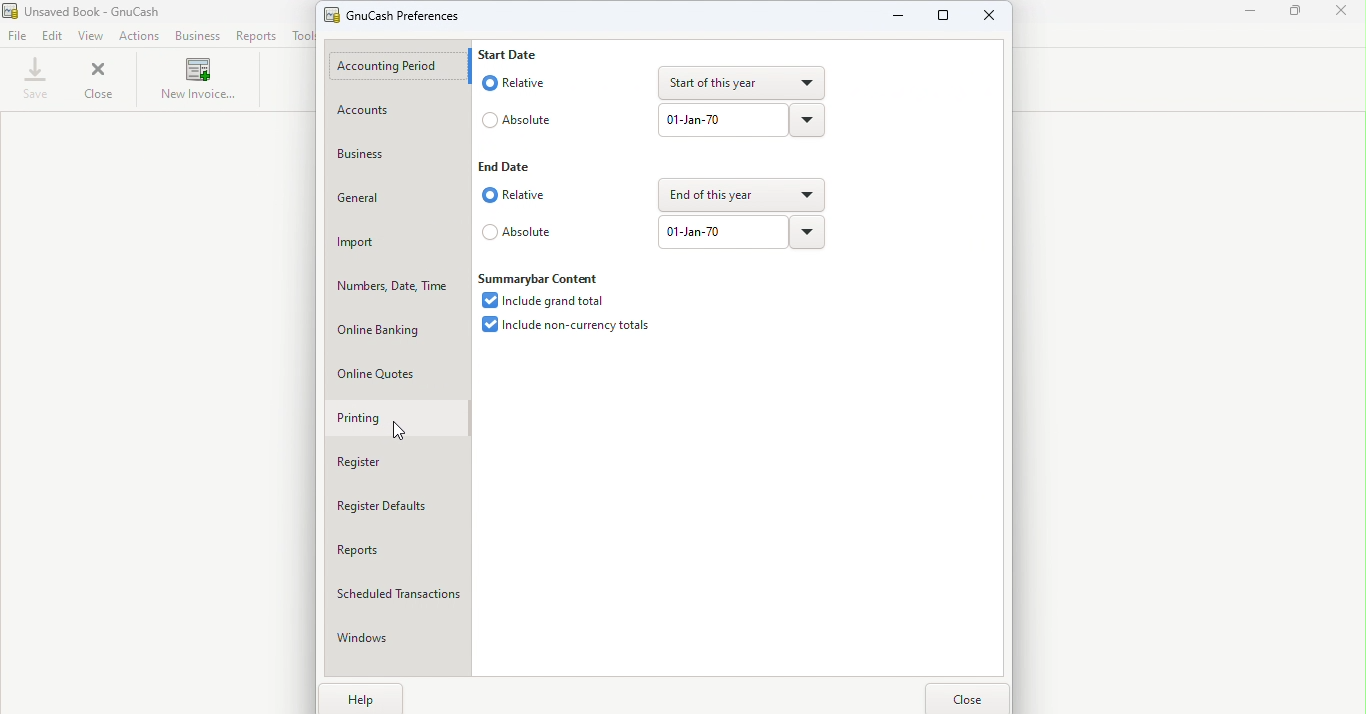 The image size is (1366, 714). What do you see at coordinates (399, 430) in the screenshot?
I see `cursor` at bounding box center [399, 430].